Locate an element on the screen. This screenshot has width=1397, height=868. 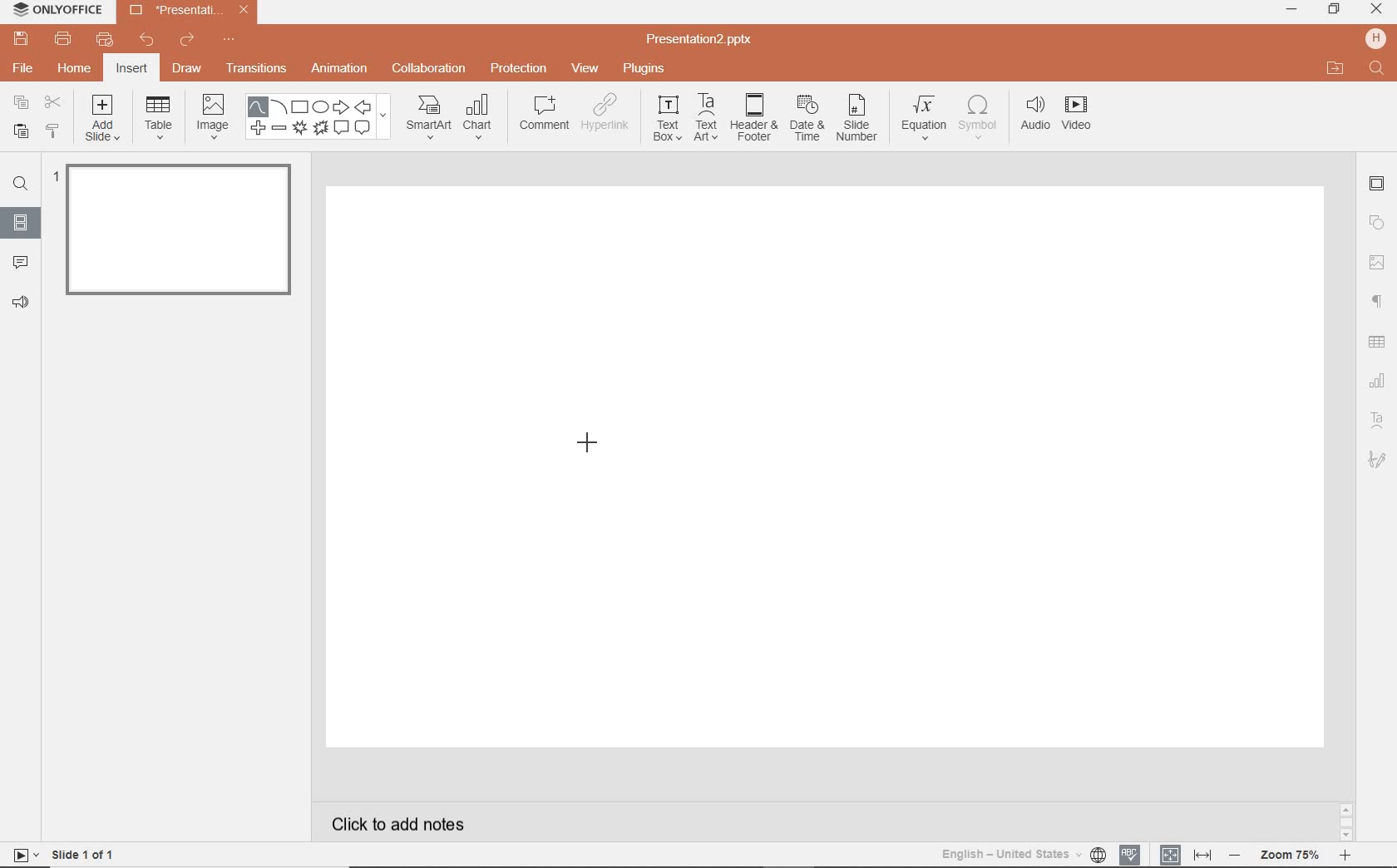
FIND is located at coordinates (23, 184).